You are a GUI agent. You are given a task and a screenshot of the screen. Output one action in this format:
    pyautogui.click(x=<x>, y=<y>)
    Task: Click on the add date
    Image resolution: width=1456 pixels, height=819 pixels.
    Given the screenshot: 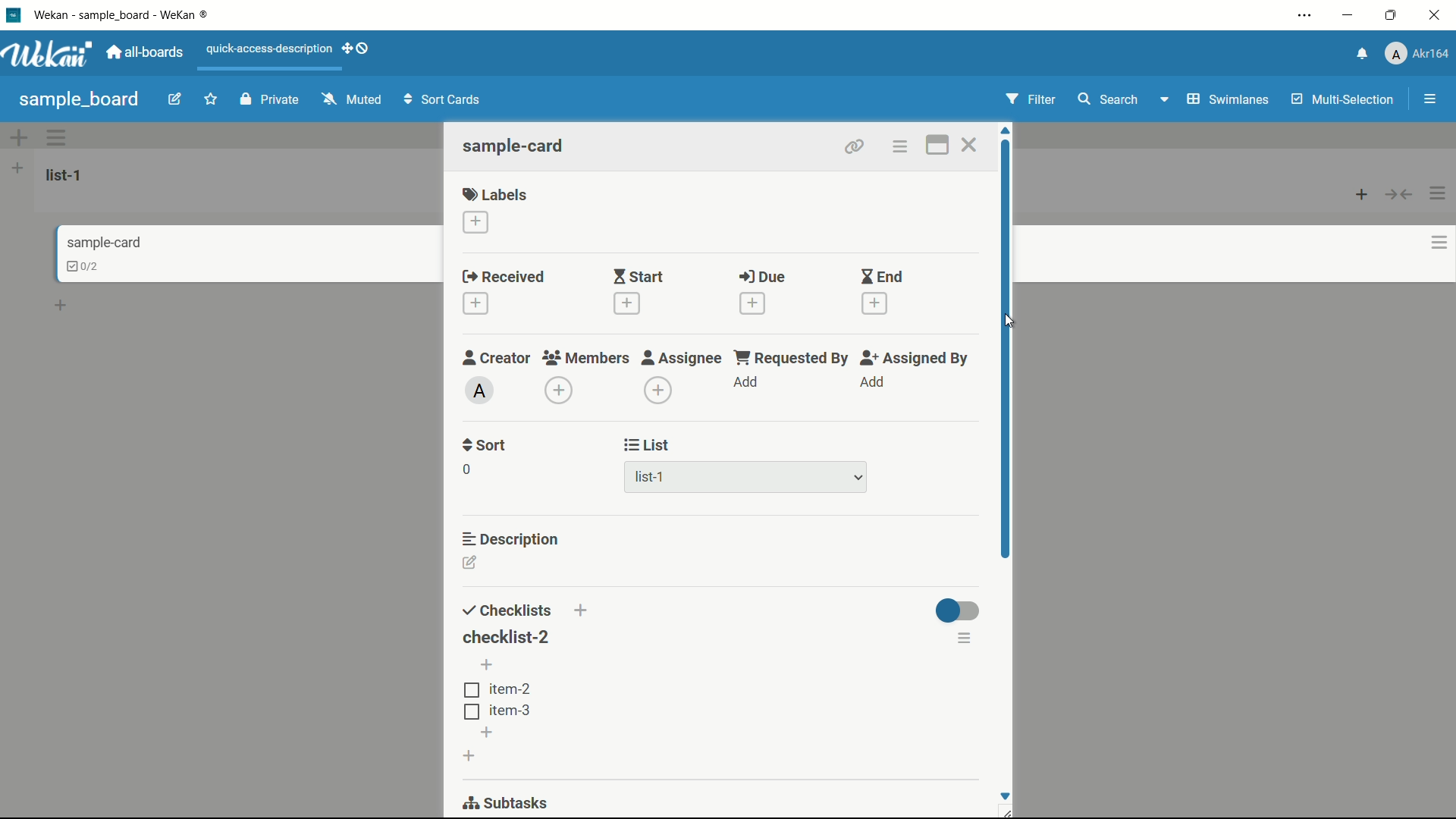 What is the action you would take?
    pyautogui.click(x=875, y=303)
    